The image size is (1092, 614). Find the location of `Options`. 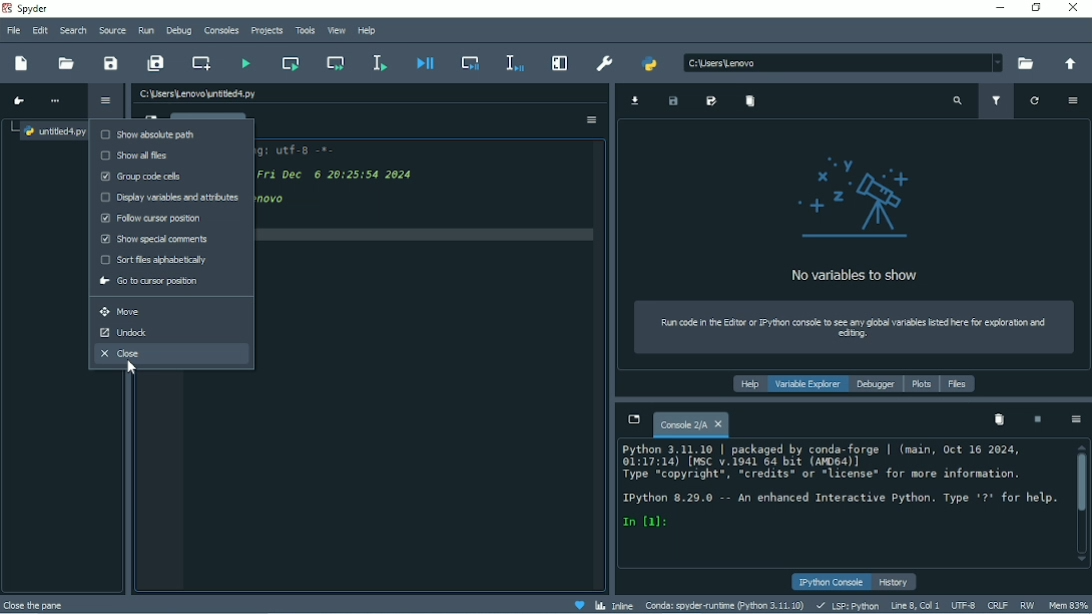

Options is located at coordinates (592, 120).